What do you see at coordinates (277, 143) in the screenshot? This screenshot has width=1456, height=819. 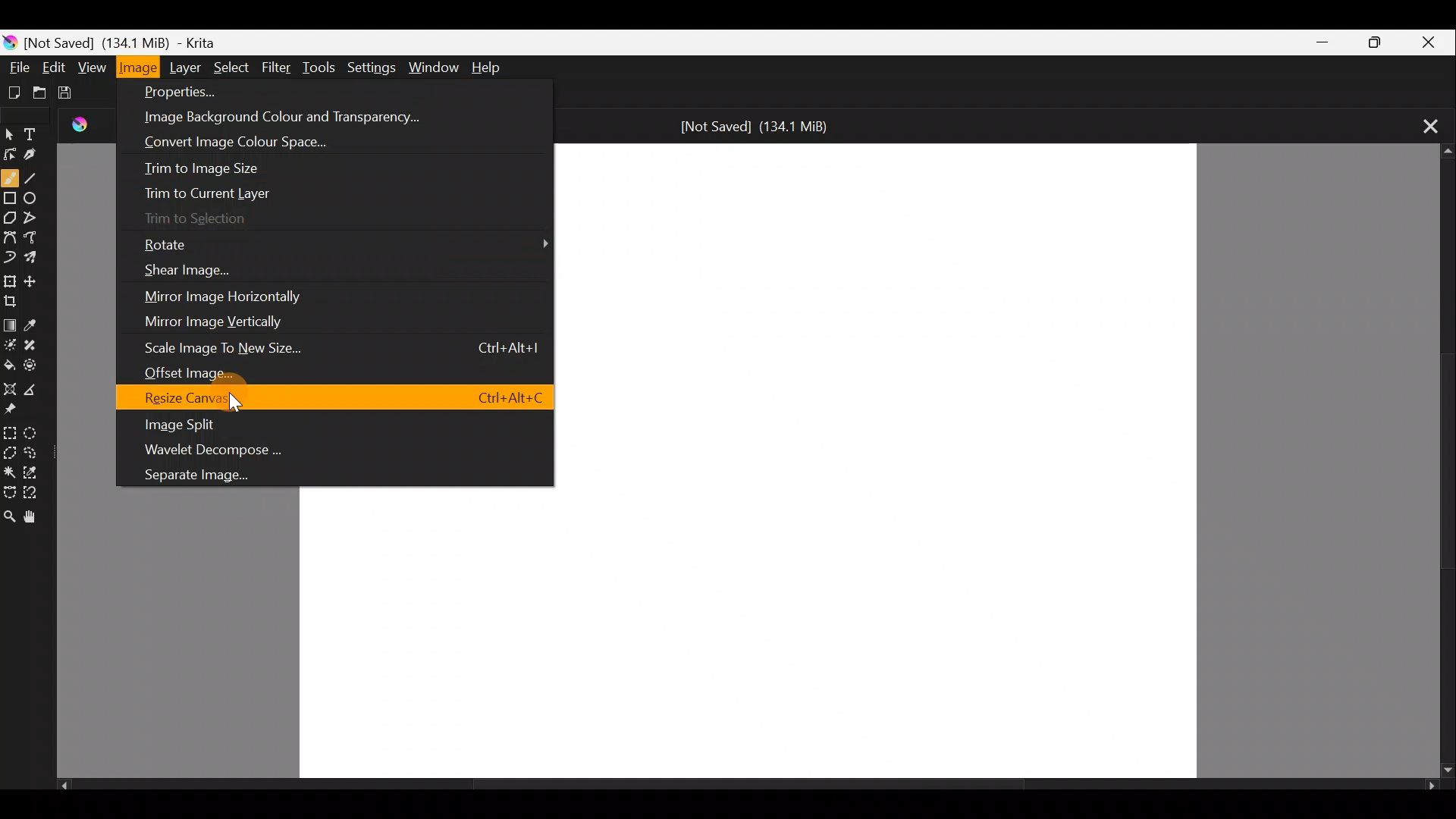 I see `Convert image colour space` at bounding box center [277, 143].